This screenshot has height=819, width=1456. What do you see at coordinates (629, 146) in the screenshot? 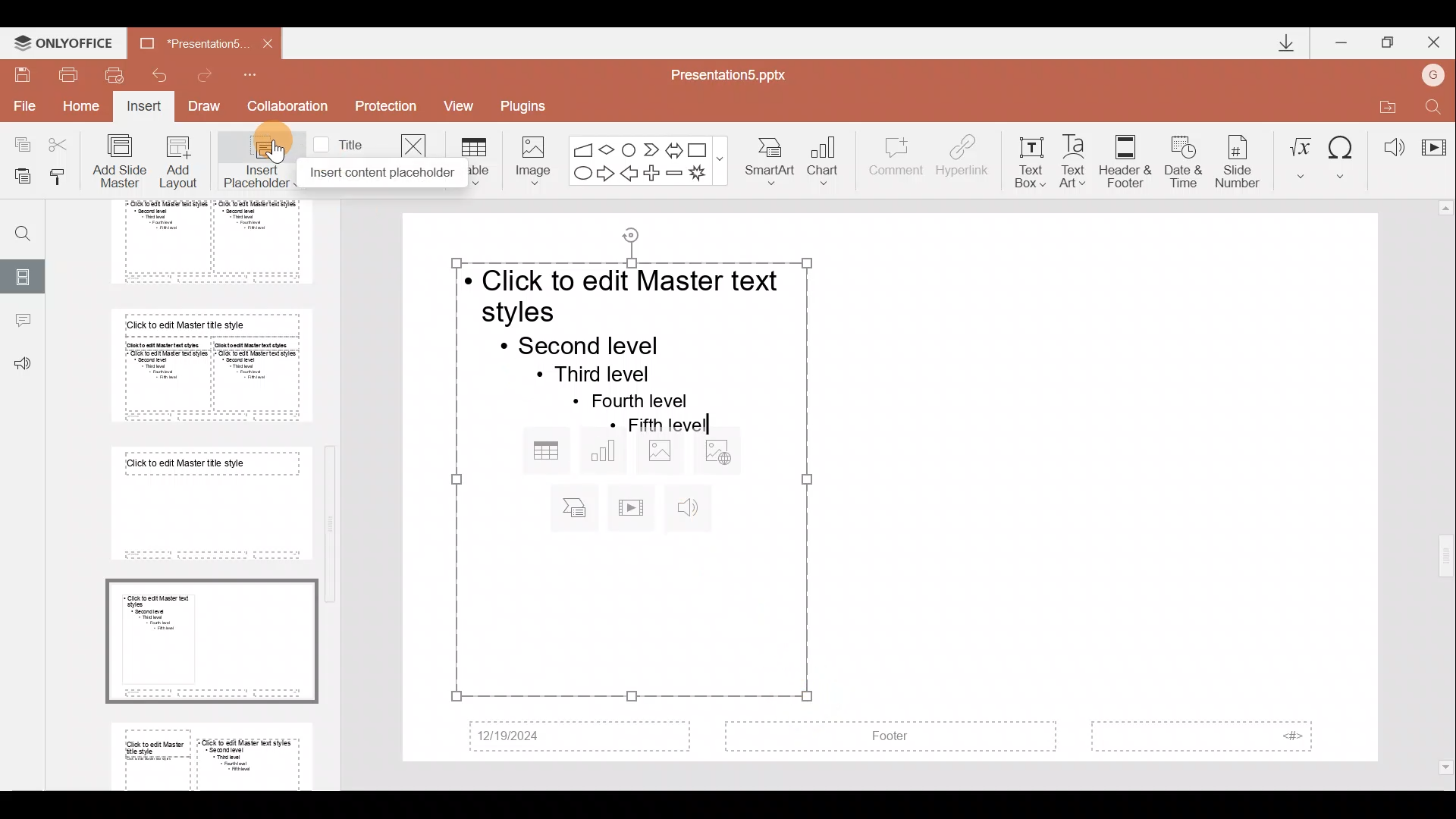
I see `Flowchart-connector` at bounding box center [629, 146].